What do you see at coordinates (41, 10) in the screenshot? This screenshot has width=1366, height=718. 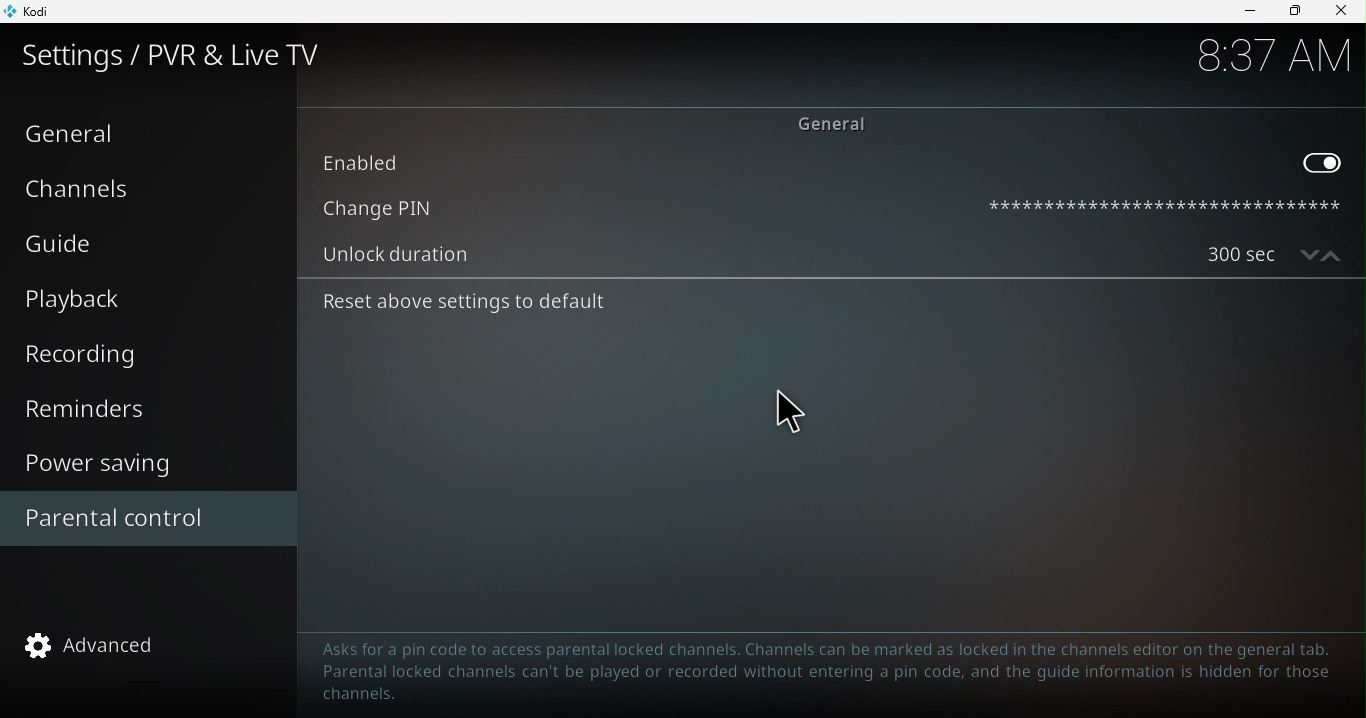 I see `Kodi icon` at bounding box center [41, 10].